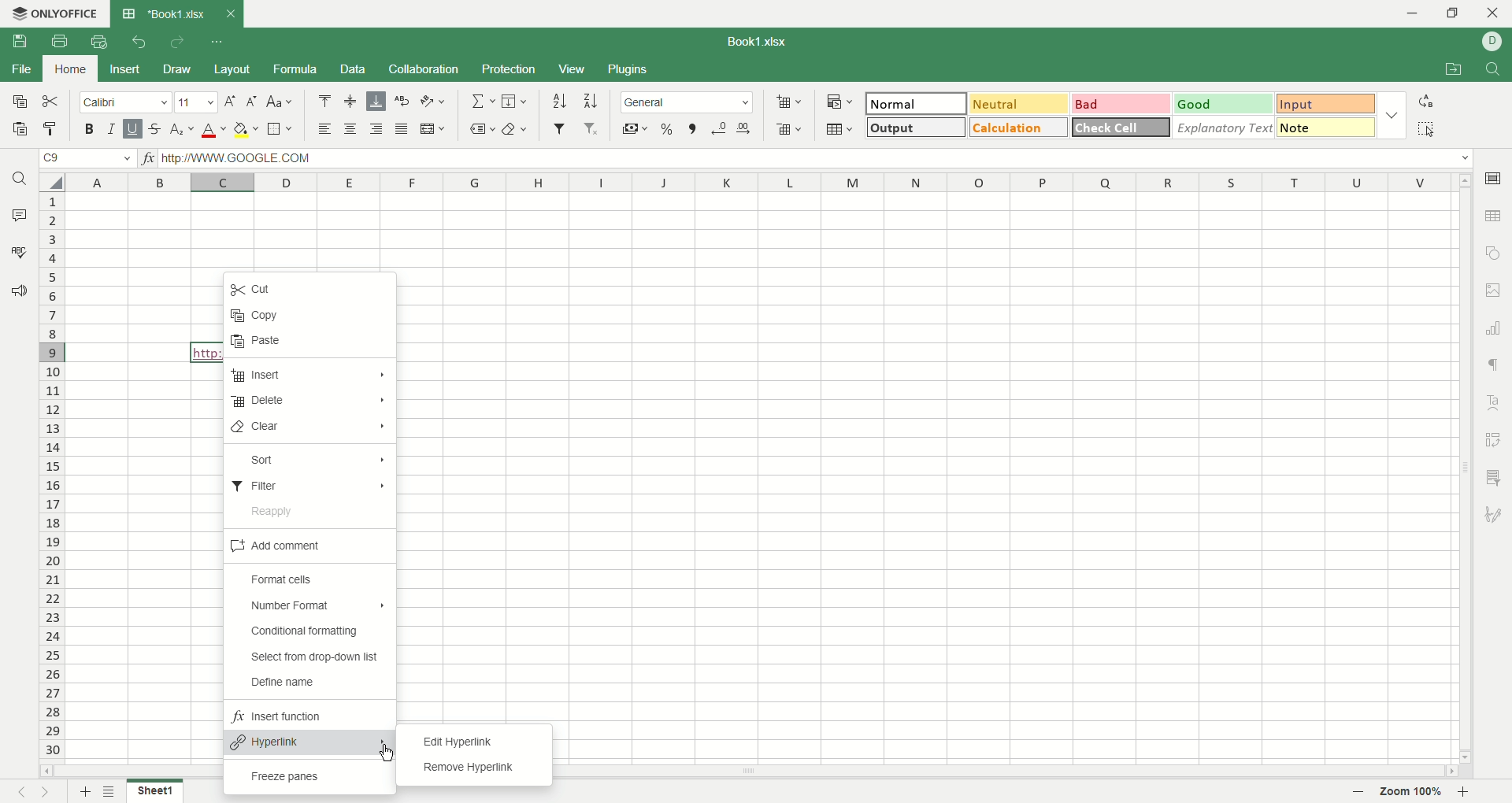 The width and height of the screenshot is (1512, 803). What do you see at coordinates (815, 159) in the screenshot?
I see `input line` at bounding box center [815, 159].